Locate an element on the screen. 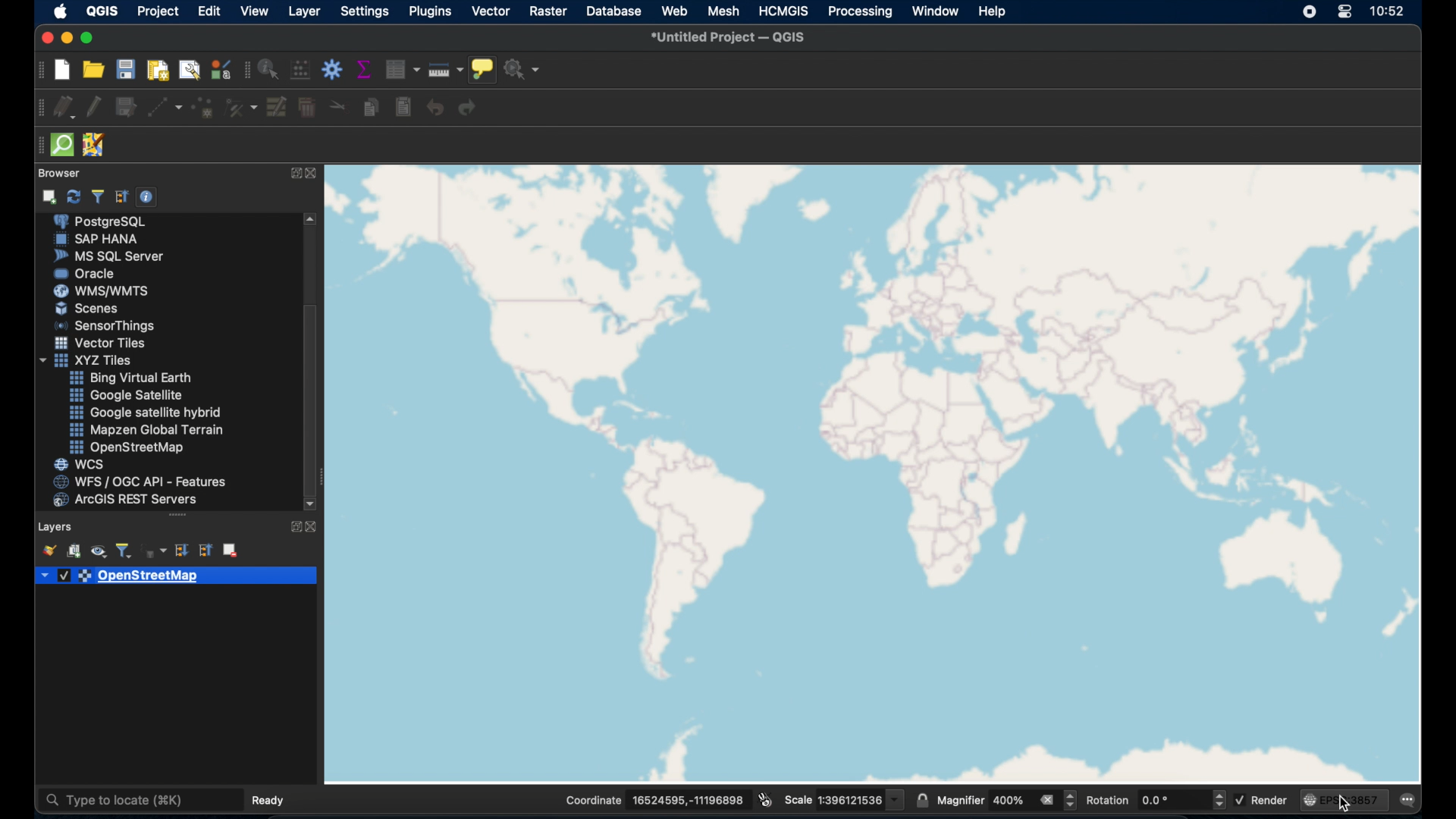 This screenshot has width=1456, height=819. ms sql server is located at coordinates (113, 256).